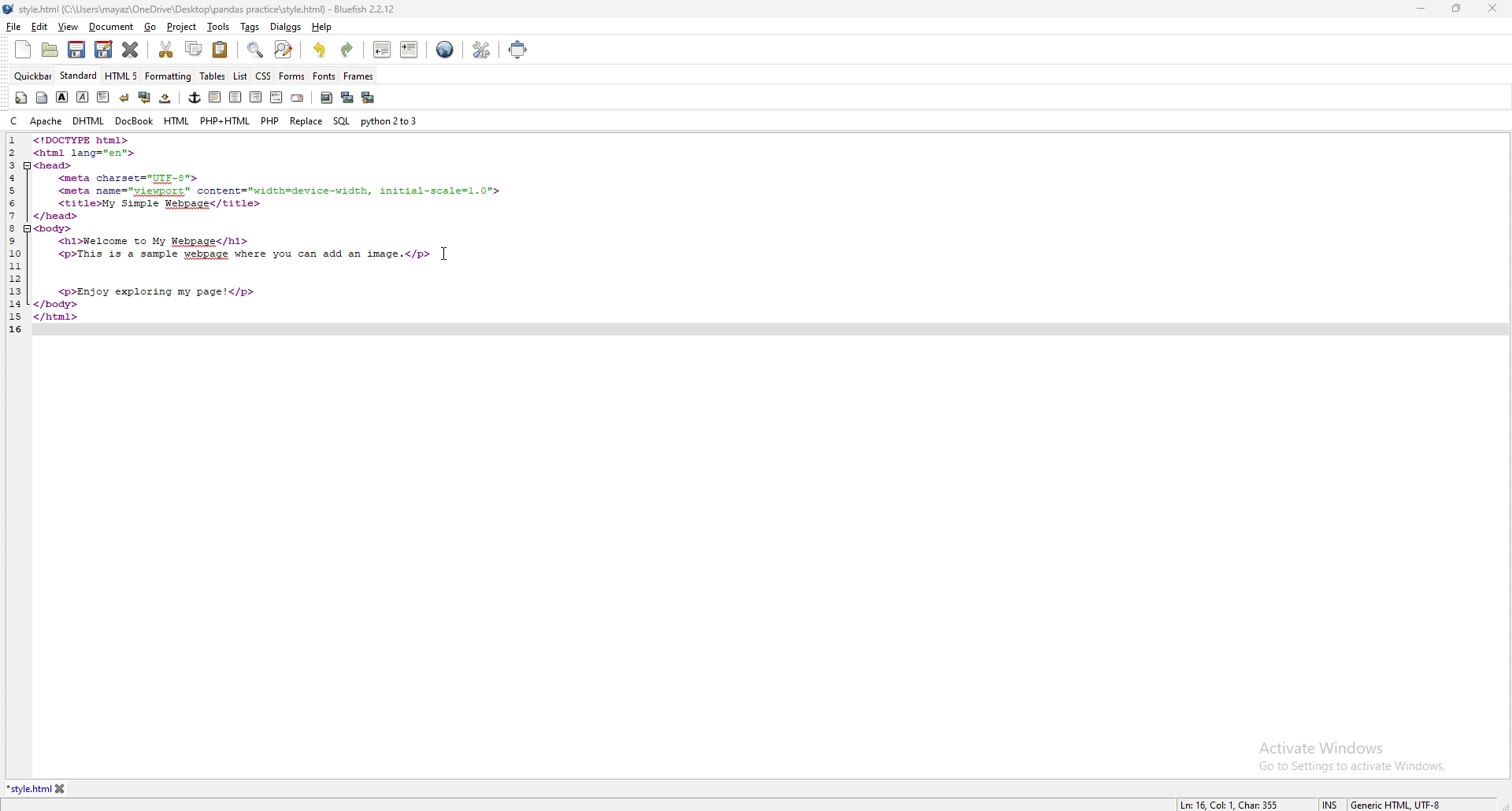 This screenshot has height=811, width=1512. Describe the element at coordinates (249, 27) in the screenshot. I see `tags` at that location.